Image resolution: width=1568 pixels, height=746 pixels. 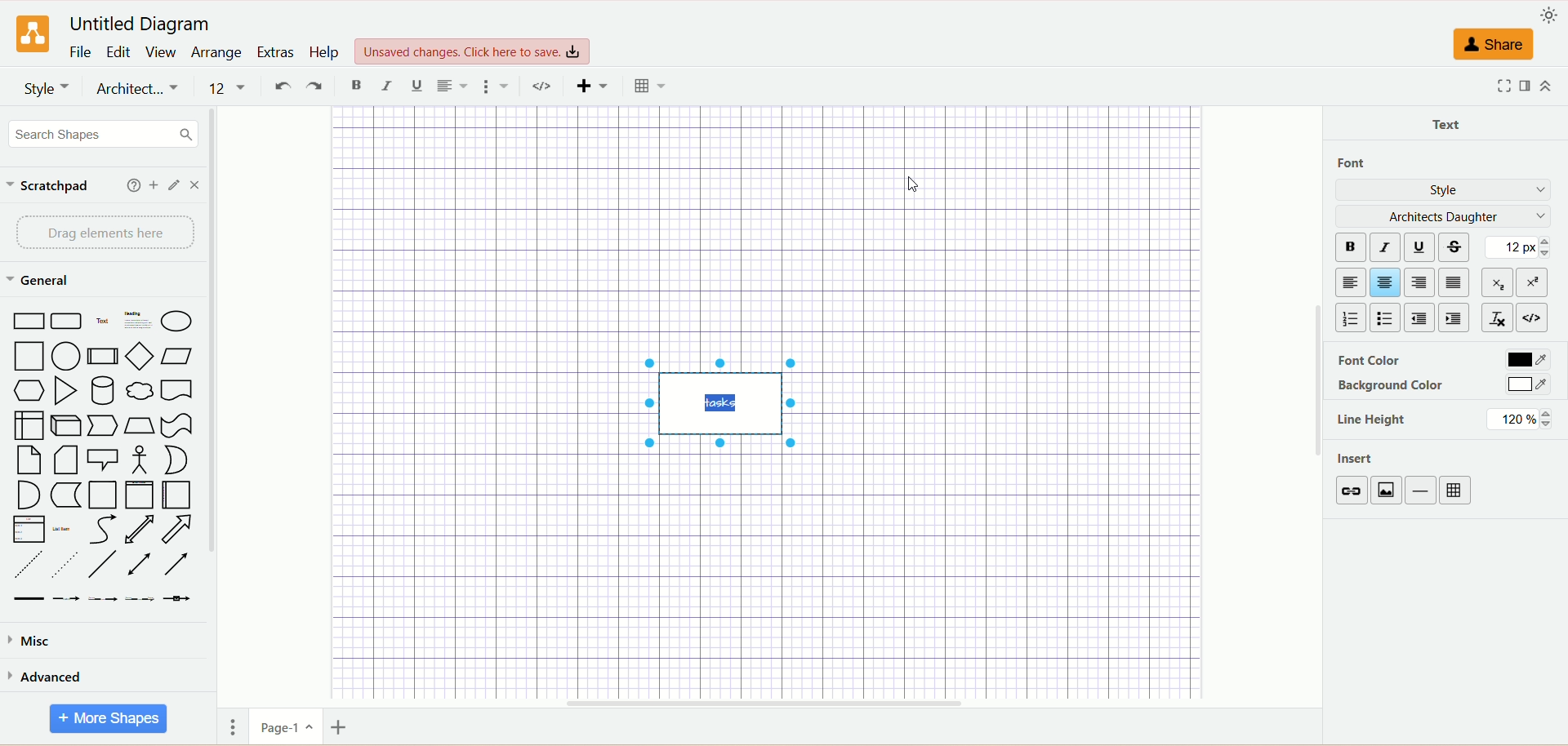 What do you see at coordinates (1454, 282) in the screenshot?
I see `block` at bounding box center [1454, 282].